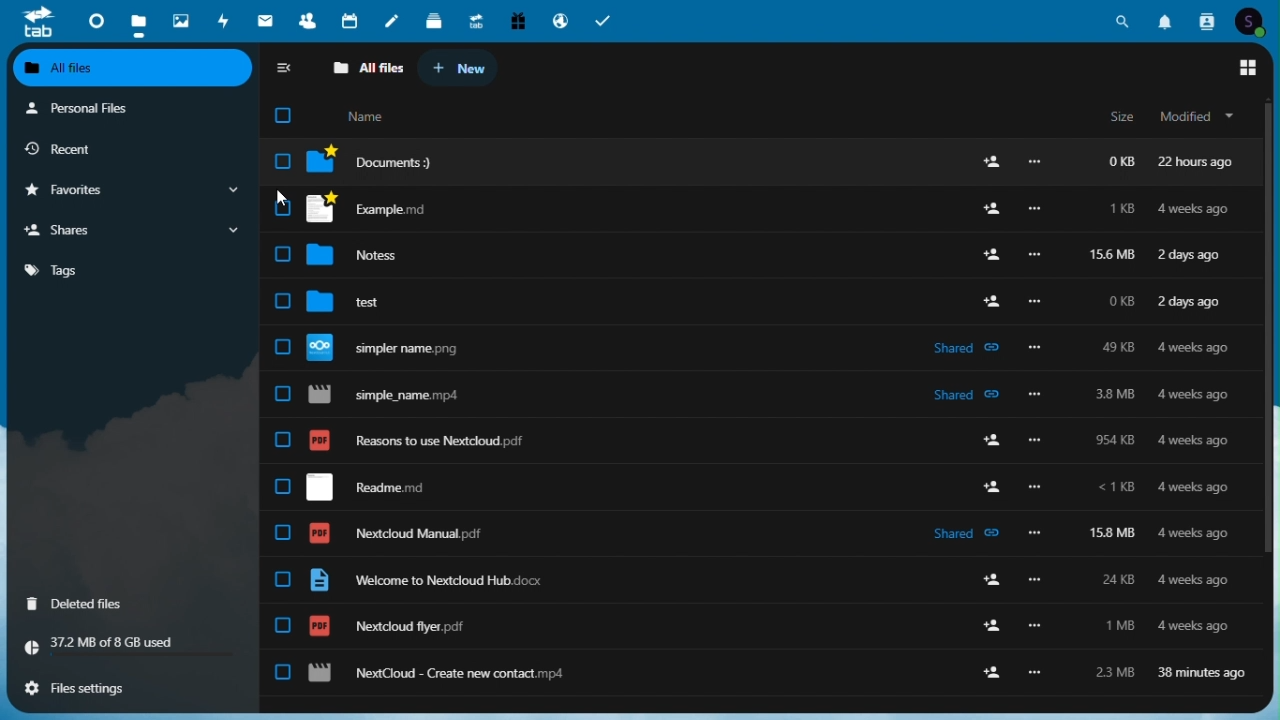 The image size is (1280, 720). Describe the element at coordinates (135, 685) in the screenshot. I see `File settings` at that location.